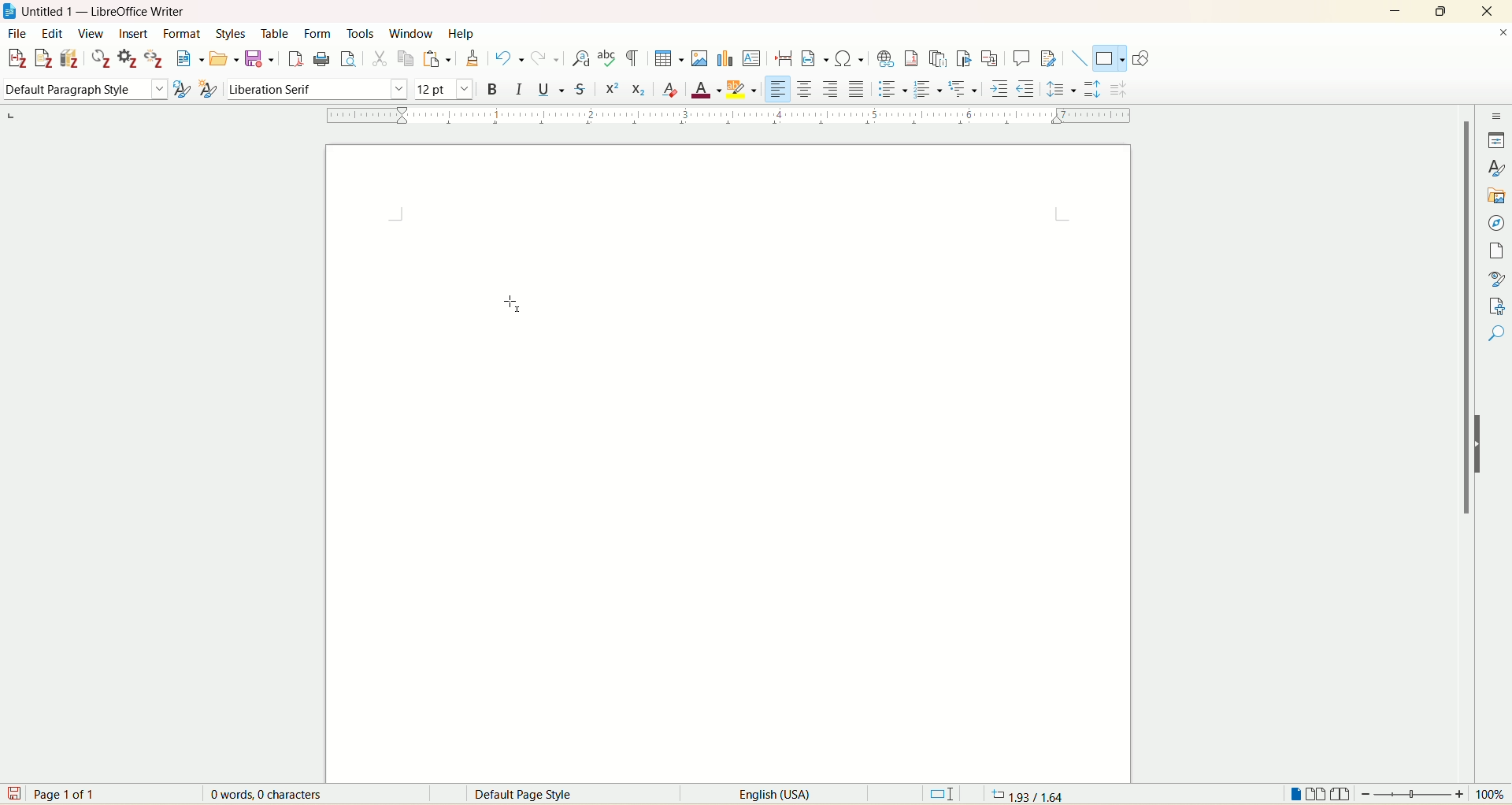 This screenshot has height=805, width=1512. What do you see at coordinates (724, 57) in the screenshot?
I see `insert chart` at bounding box center [724, 57].